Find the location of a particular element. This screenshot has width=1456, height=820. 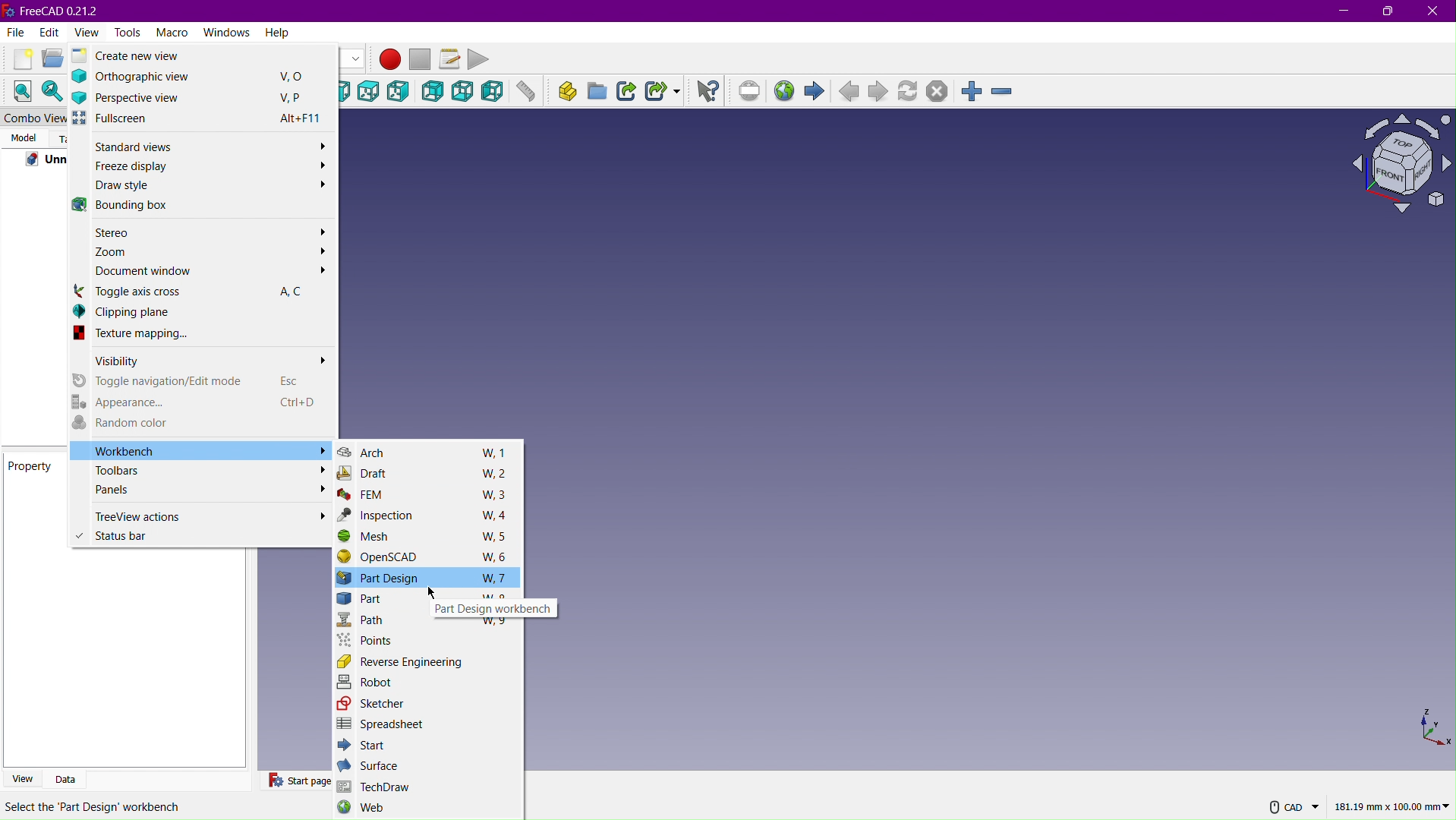

Macro Recording is located at coordinates (388, 60).